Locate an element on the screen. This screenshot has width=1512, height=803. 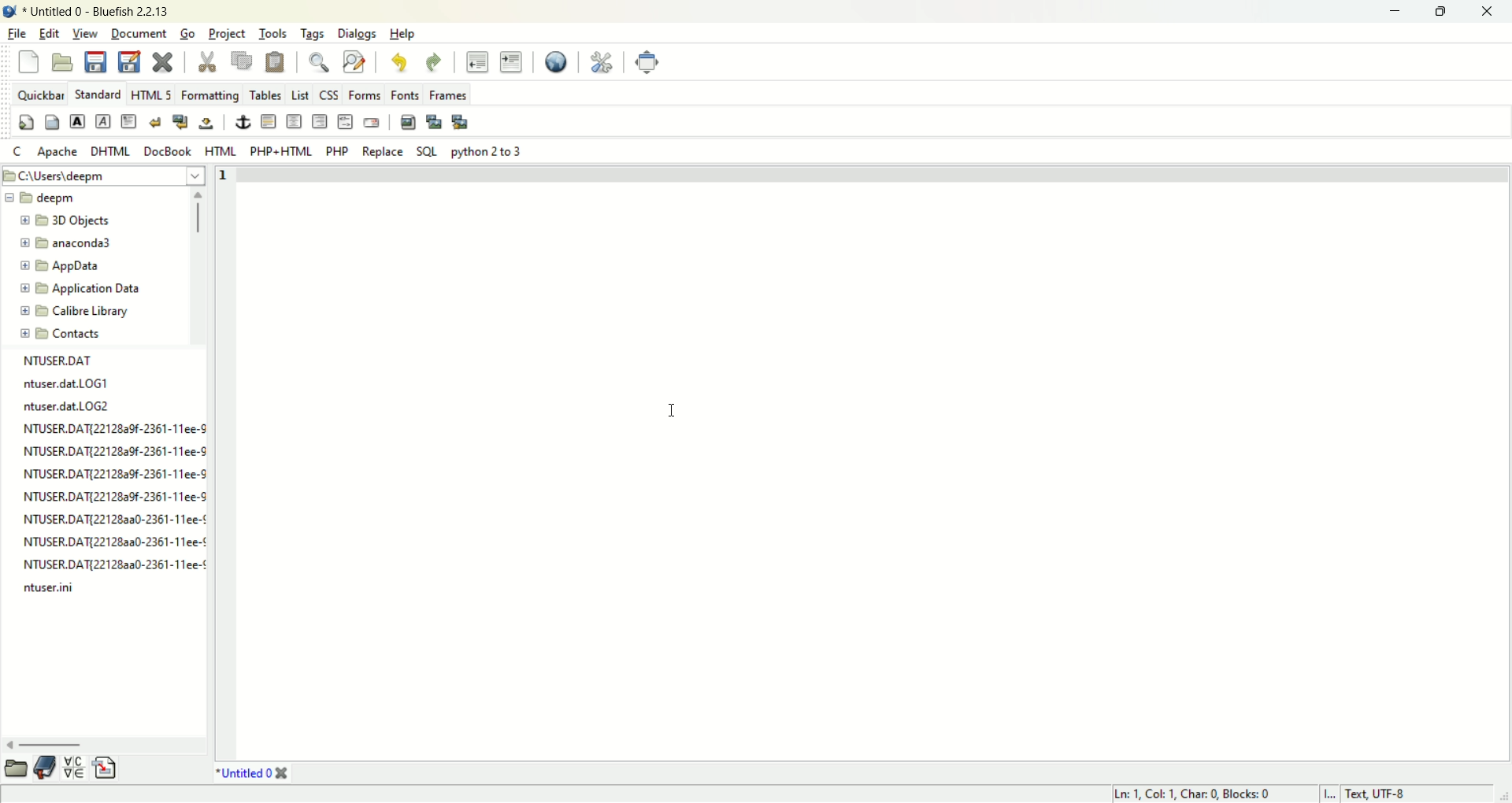
applciation icon is located at coordinates (10, 12).